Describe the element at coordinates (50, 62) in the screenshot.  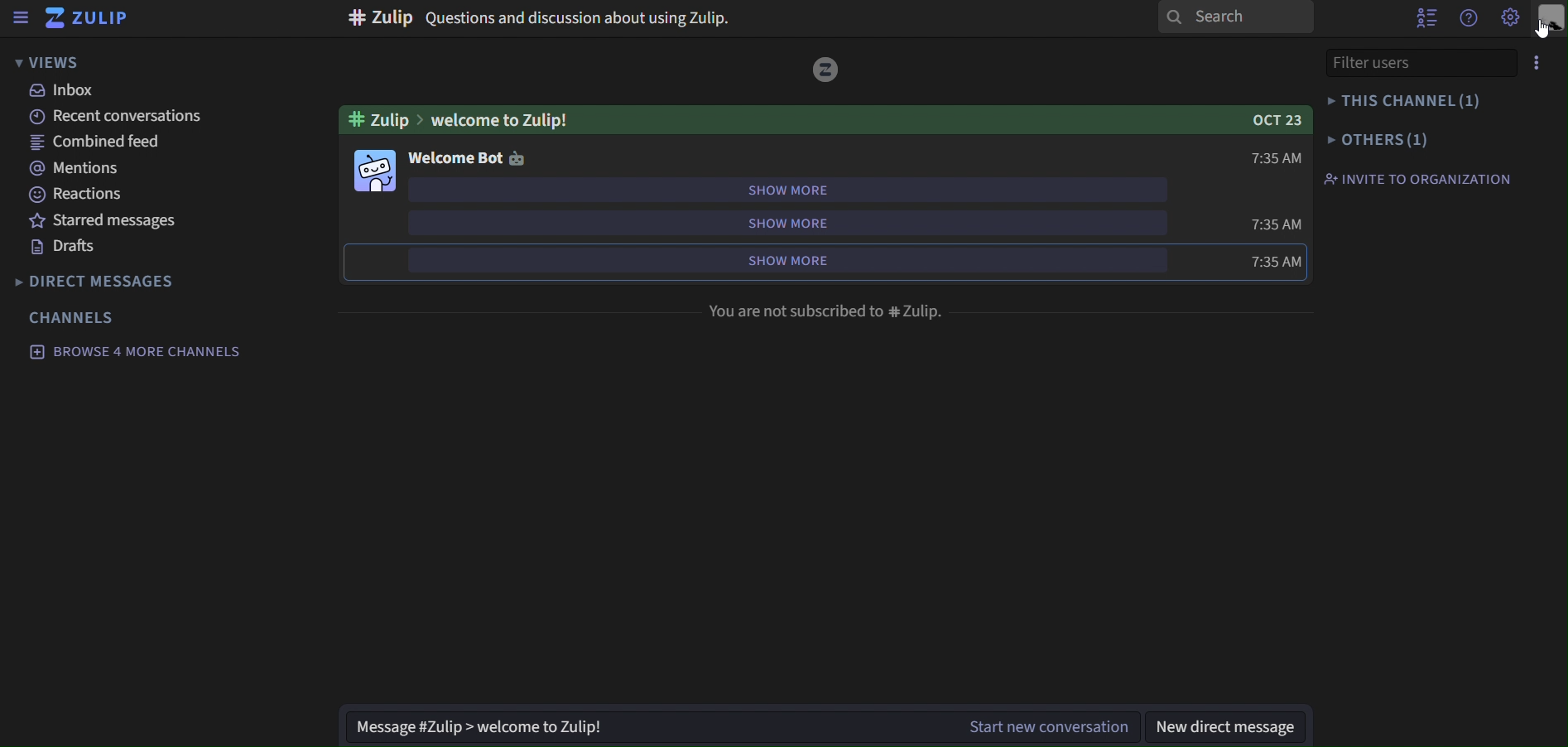
I see `view` at that location.